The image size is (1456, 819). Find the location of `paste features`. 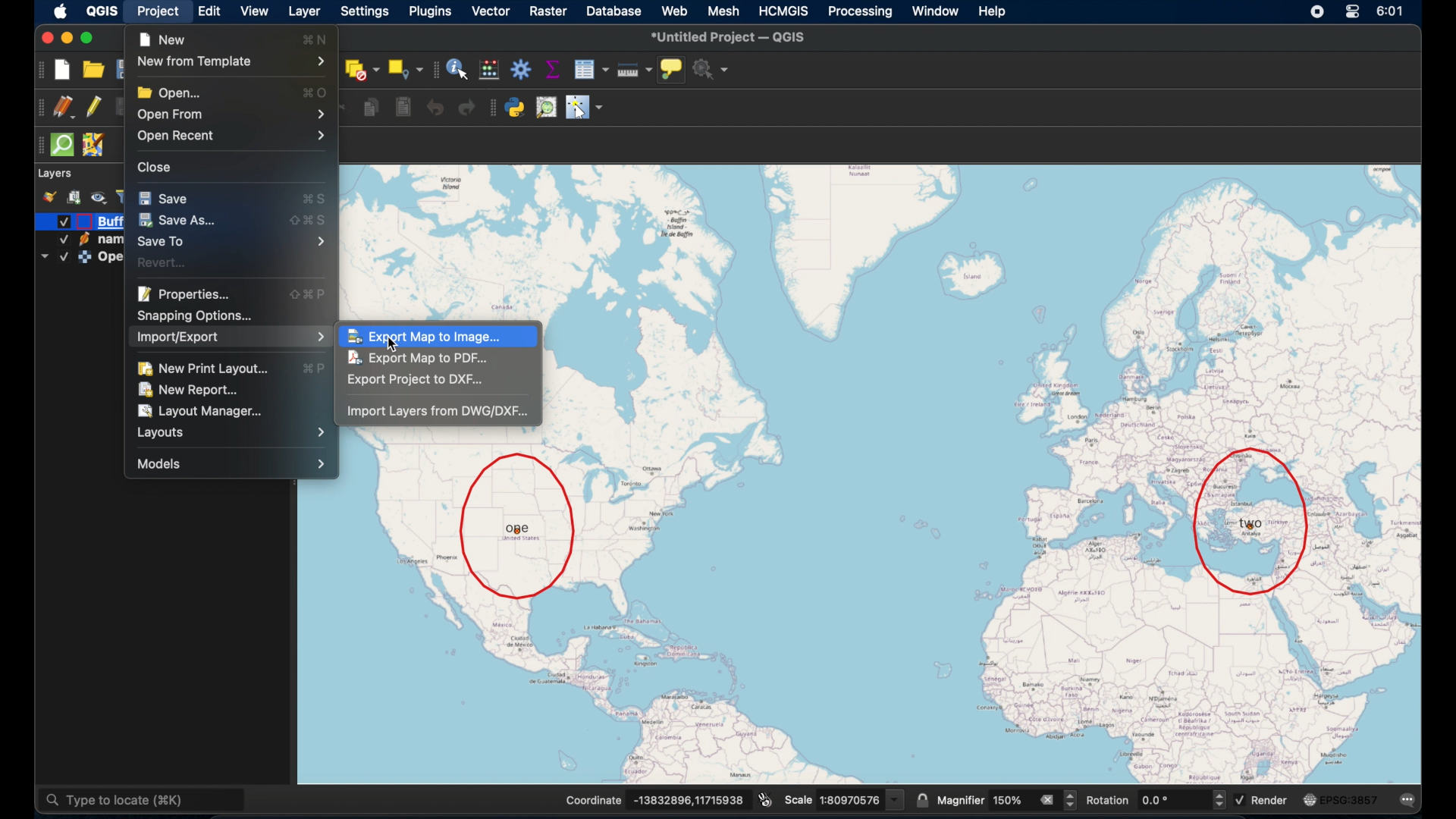

paste features is located at coordinates (403, 108).